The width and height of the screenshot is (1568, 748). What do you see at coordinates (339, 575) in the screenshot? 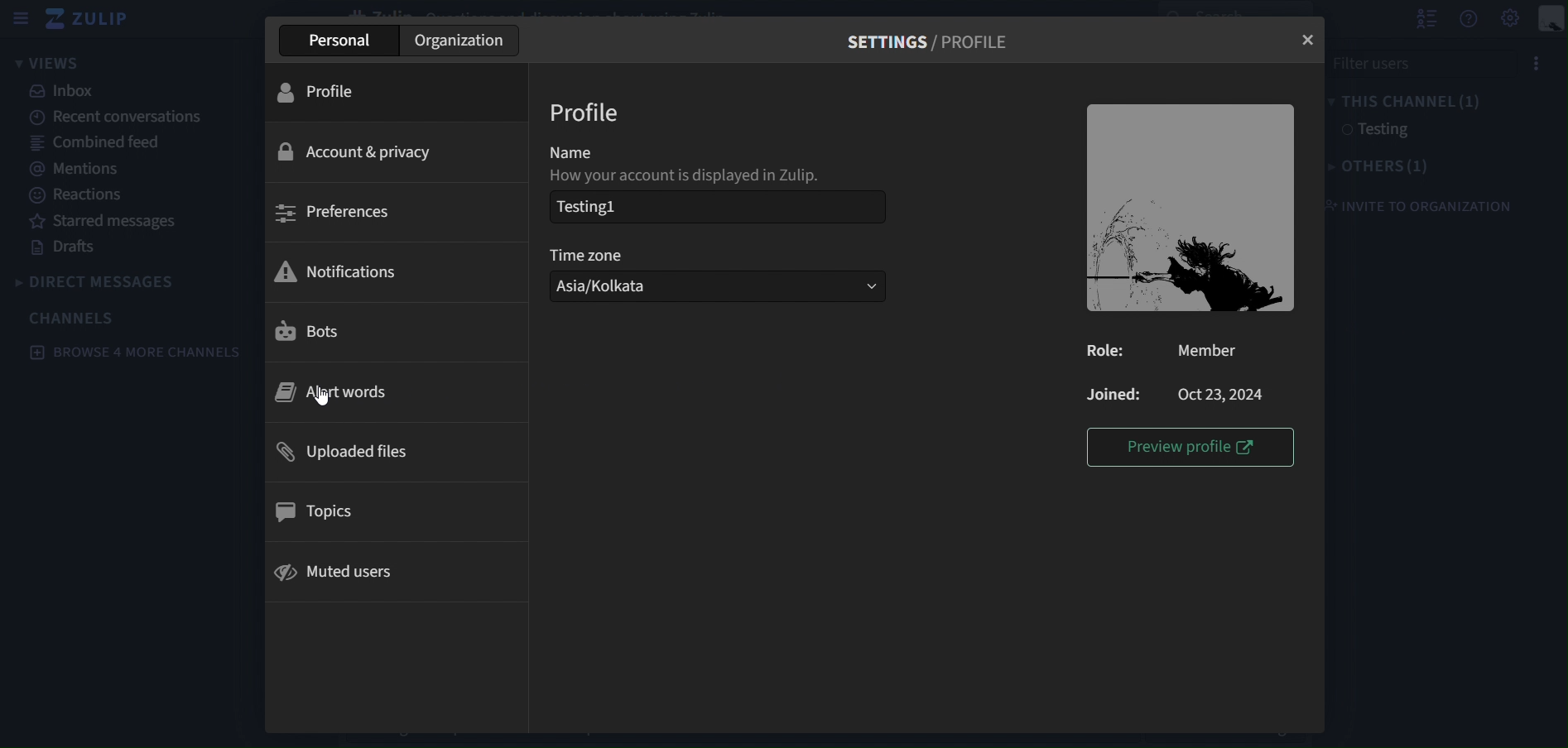
I see `muted users` at bounding box center [339, 575].